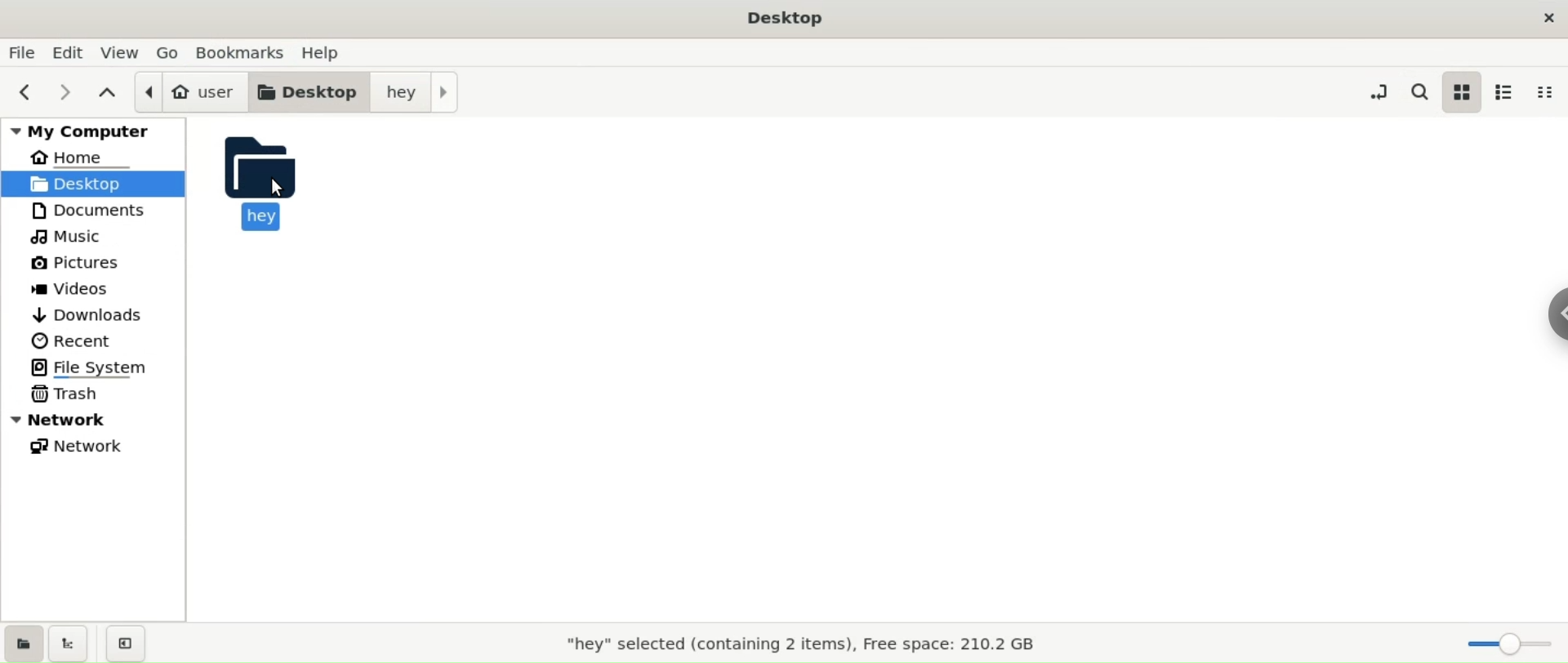  What do you see at coordinates (24, 51) in the screenshot?
I see `file` at bounding box center [24, 51].